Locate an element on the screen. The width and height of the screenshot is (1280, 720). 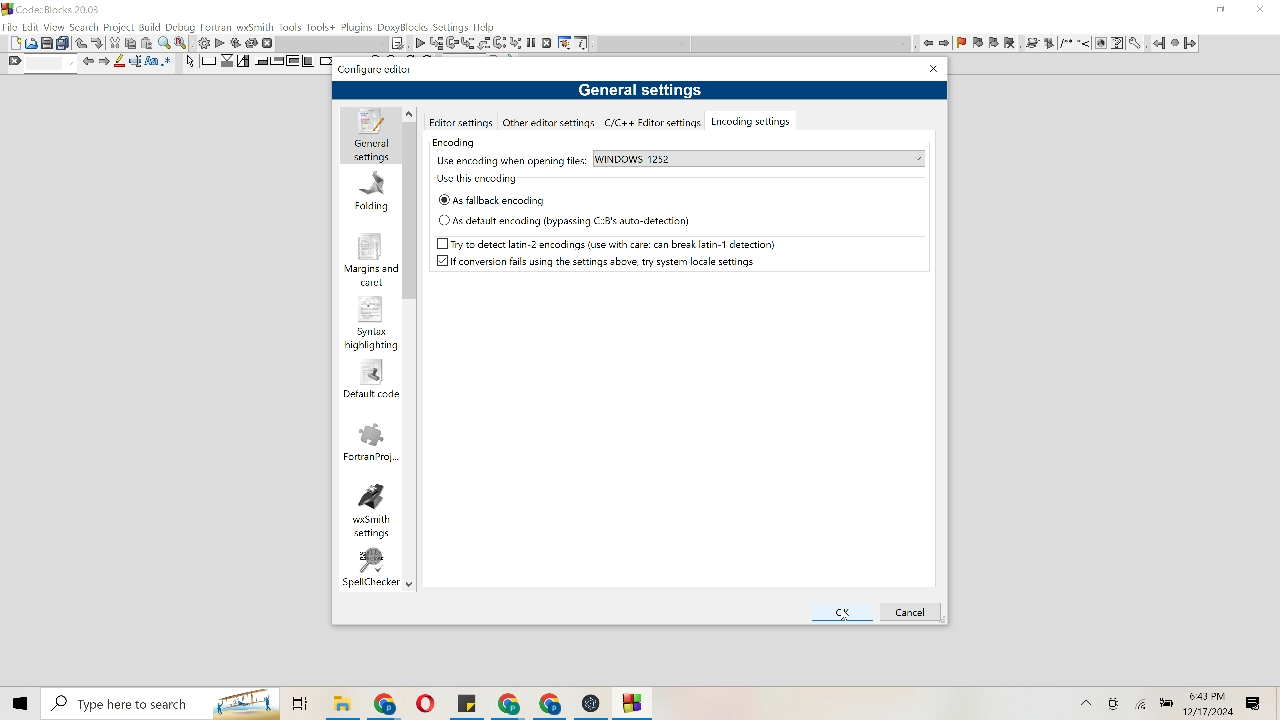
Build is located at coordinates (150, 27).